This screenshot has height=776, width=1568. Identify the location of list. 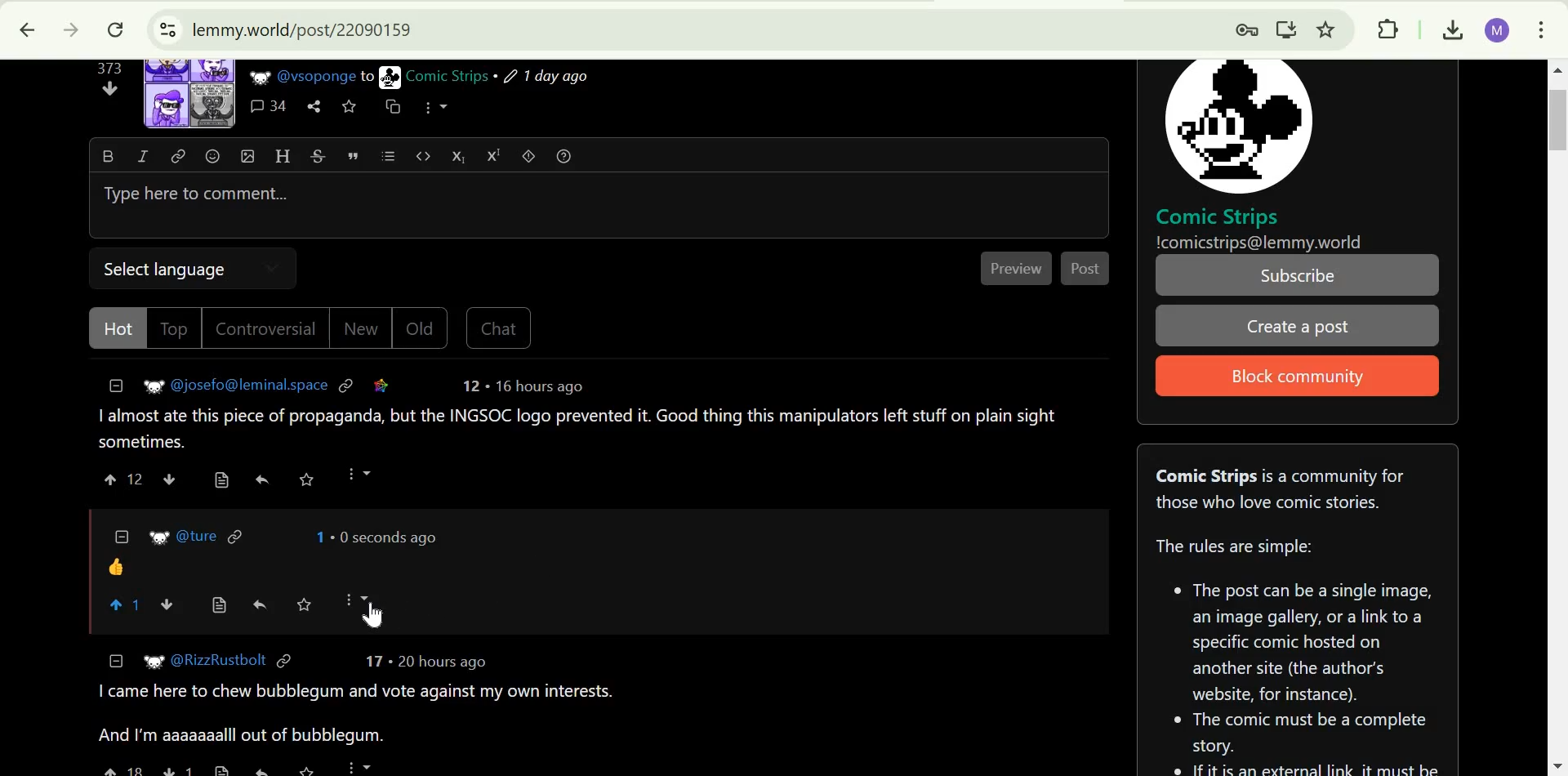
(388, 156).